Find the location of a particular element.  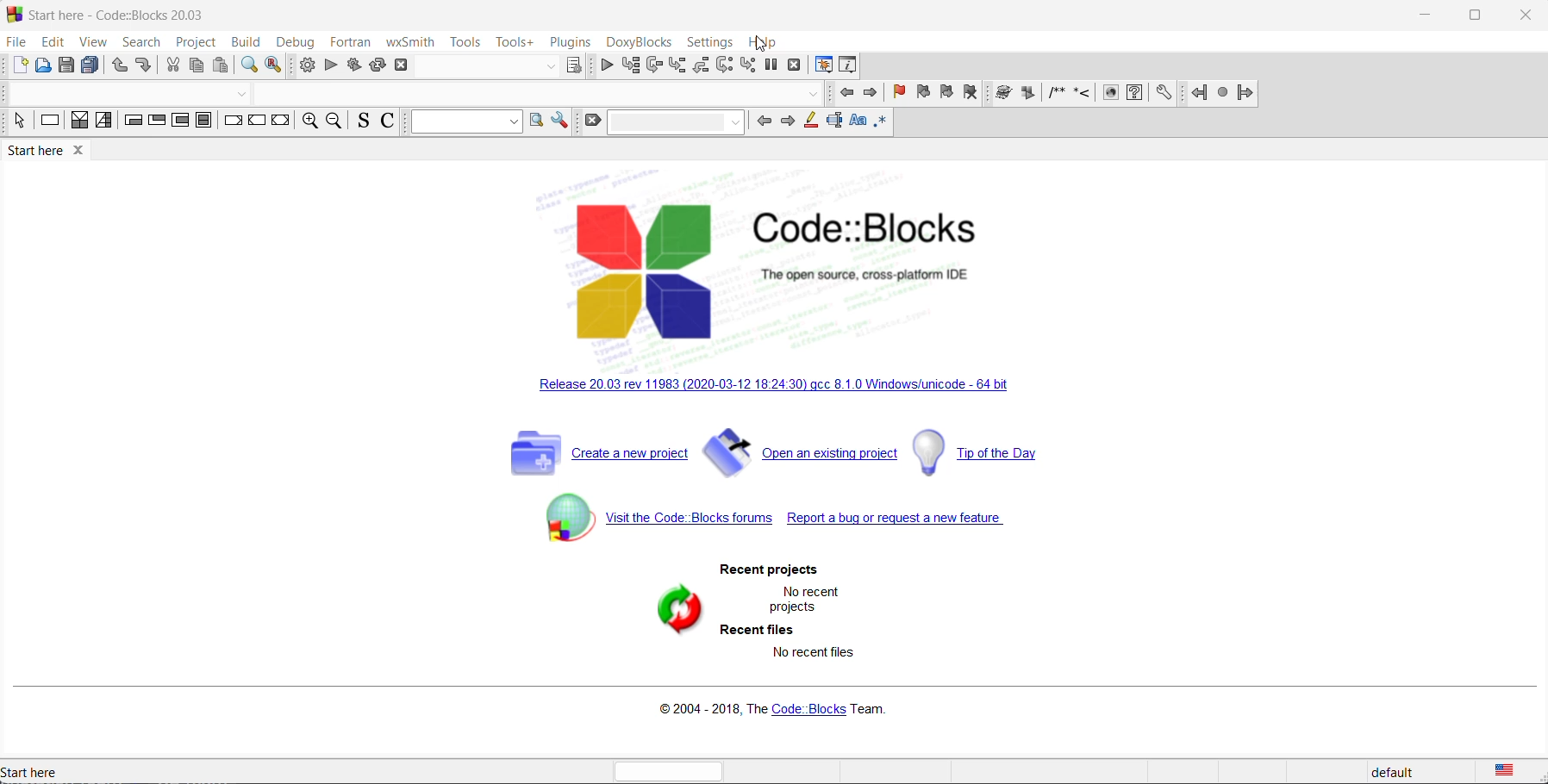

start here is located at coordinates (56, 152).